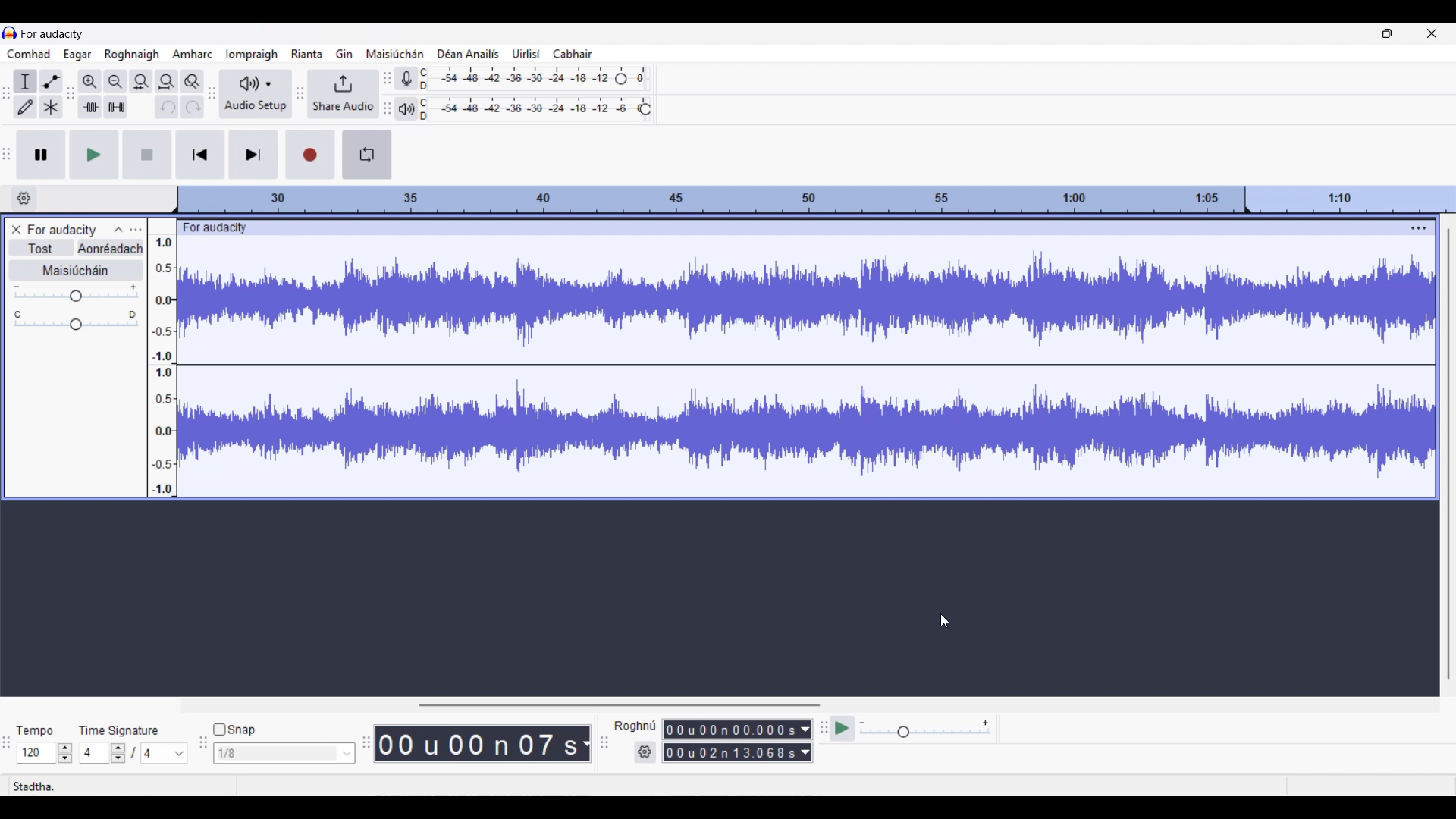 This screenshot has height=819, width=1456. I want to click on Playback level, so click(530, 109).